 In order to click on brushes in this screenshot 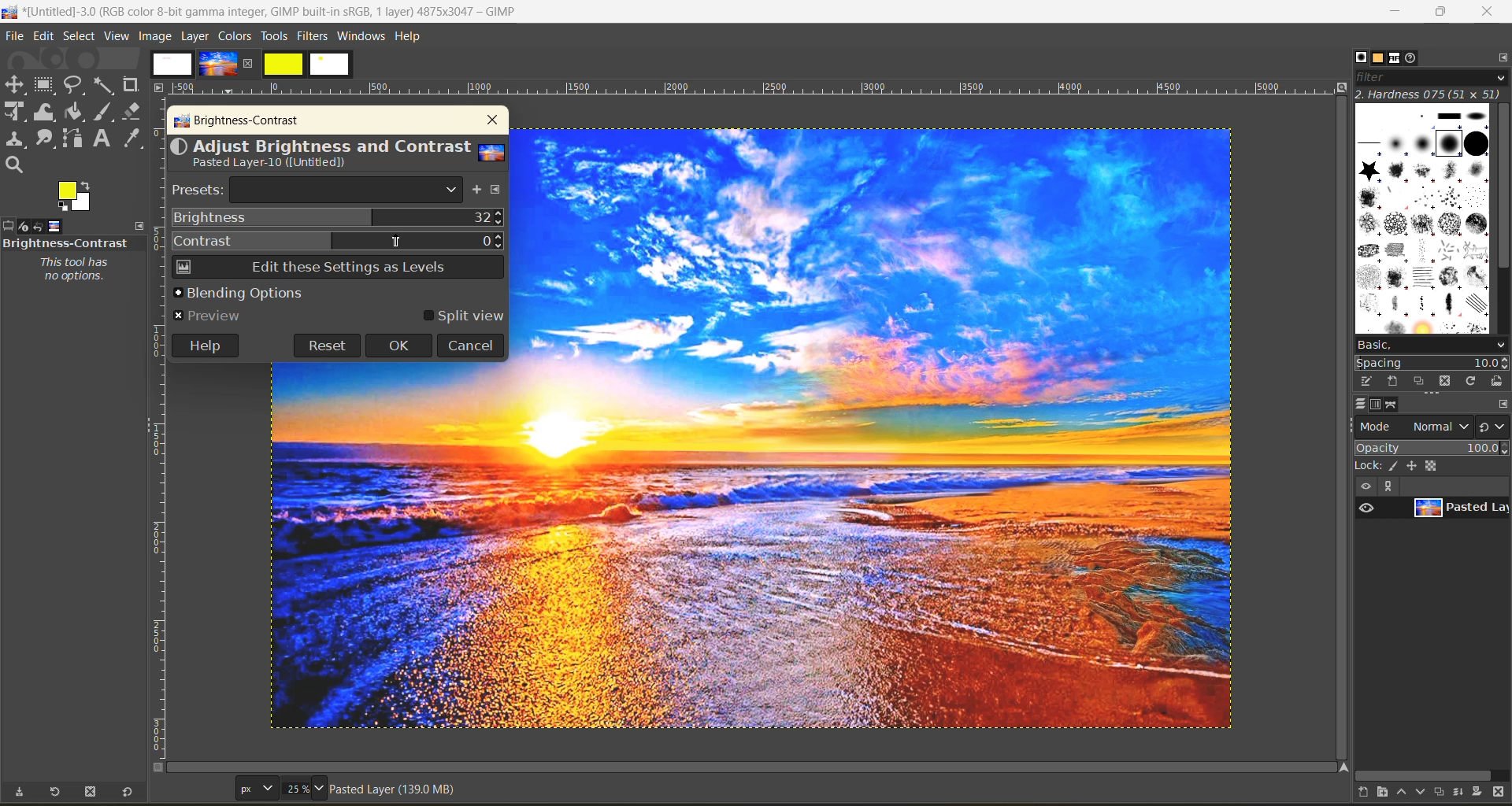, I will do `click(1423, 219)`.